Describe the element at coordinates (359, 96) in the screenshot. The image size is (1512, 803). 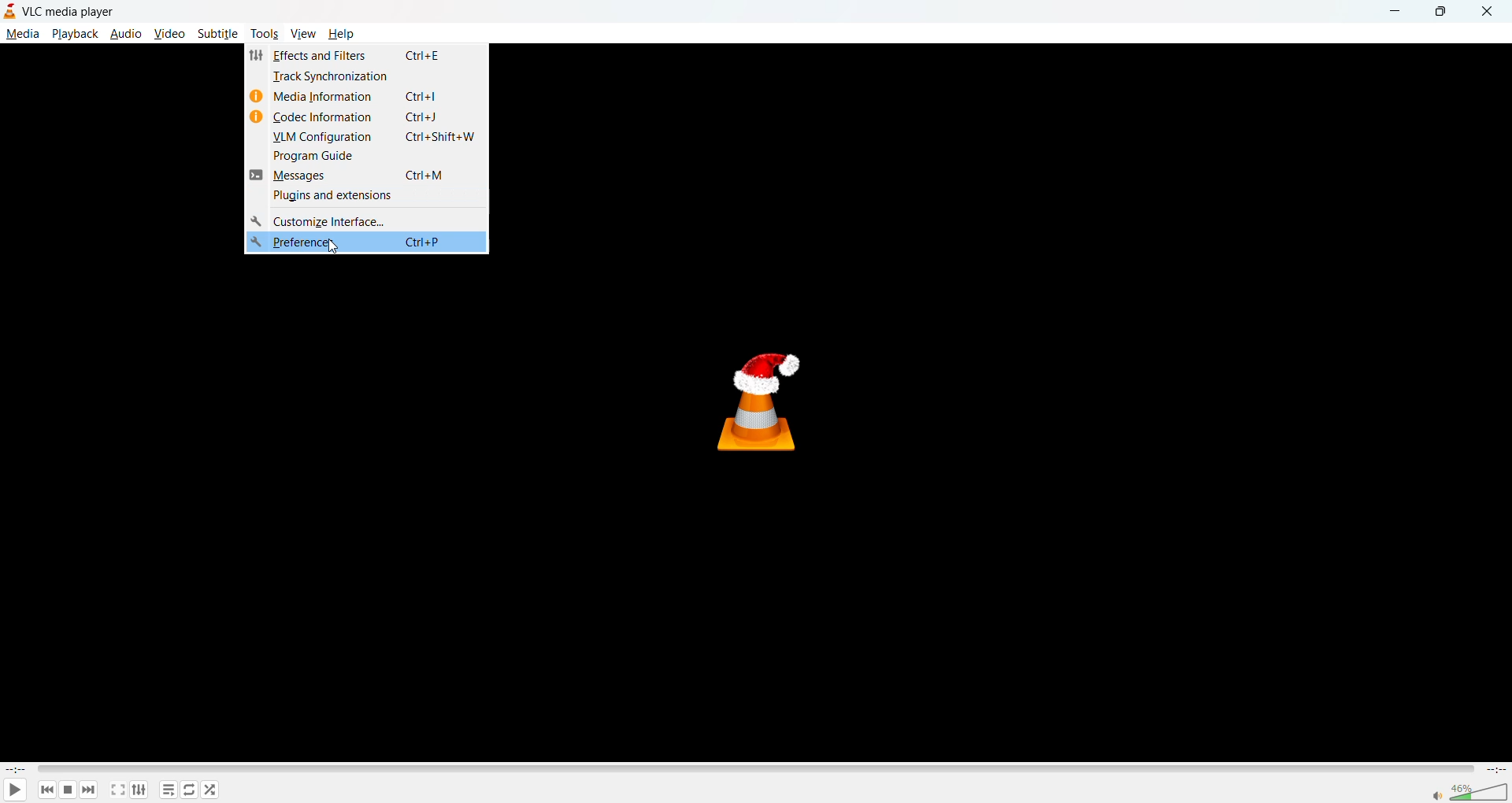
I see `media information` at that location.